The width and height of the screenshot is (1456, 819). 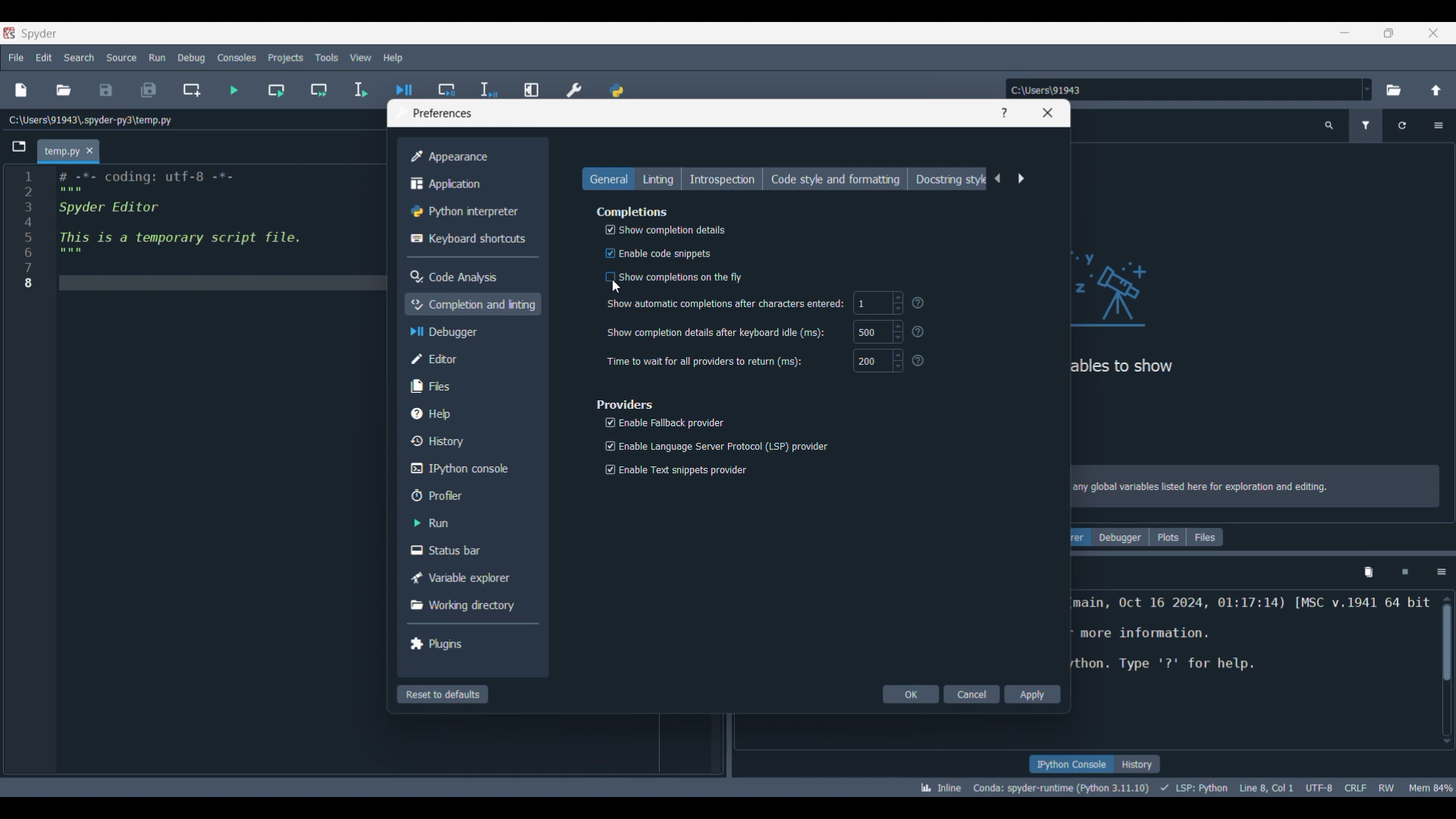 What do you see at coordinates (79, 58) in the screenshot?
I see `Search menu` at bounding box center [79, 58].